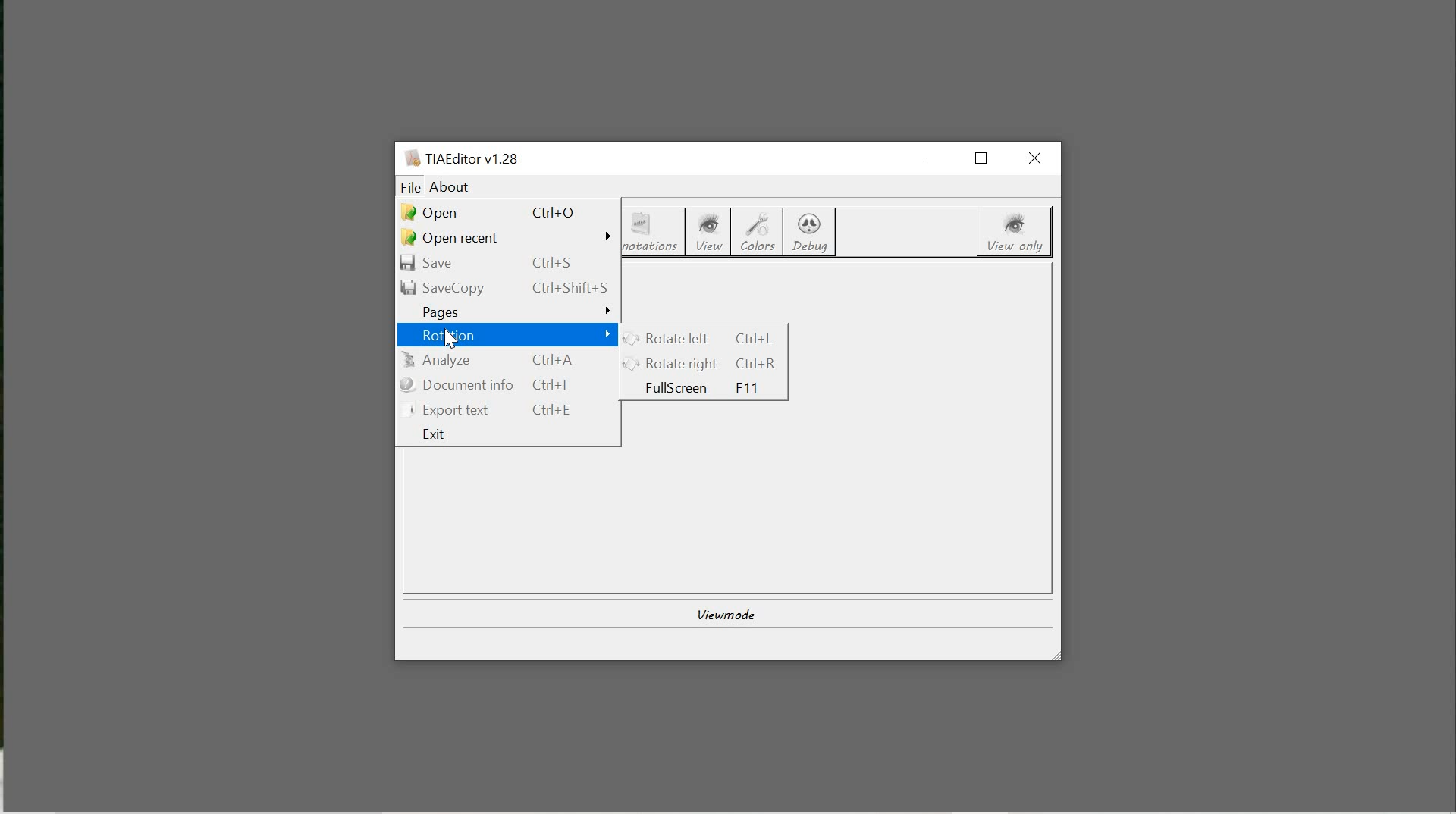 Image resolution: width=1456 pixels, height=814 pixels. I want to click on about, so click(450, 188).